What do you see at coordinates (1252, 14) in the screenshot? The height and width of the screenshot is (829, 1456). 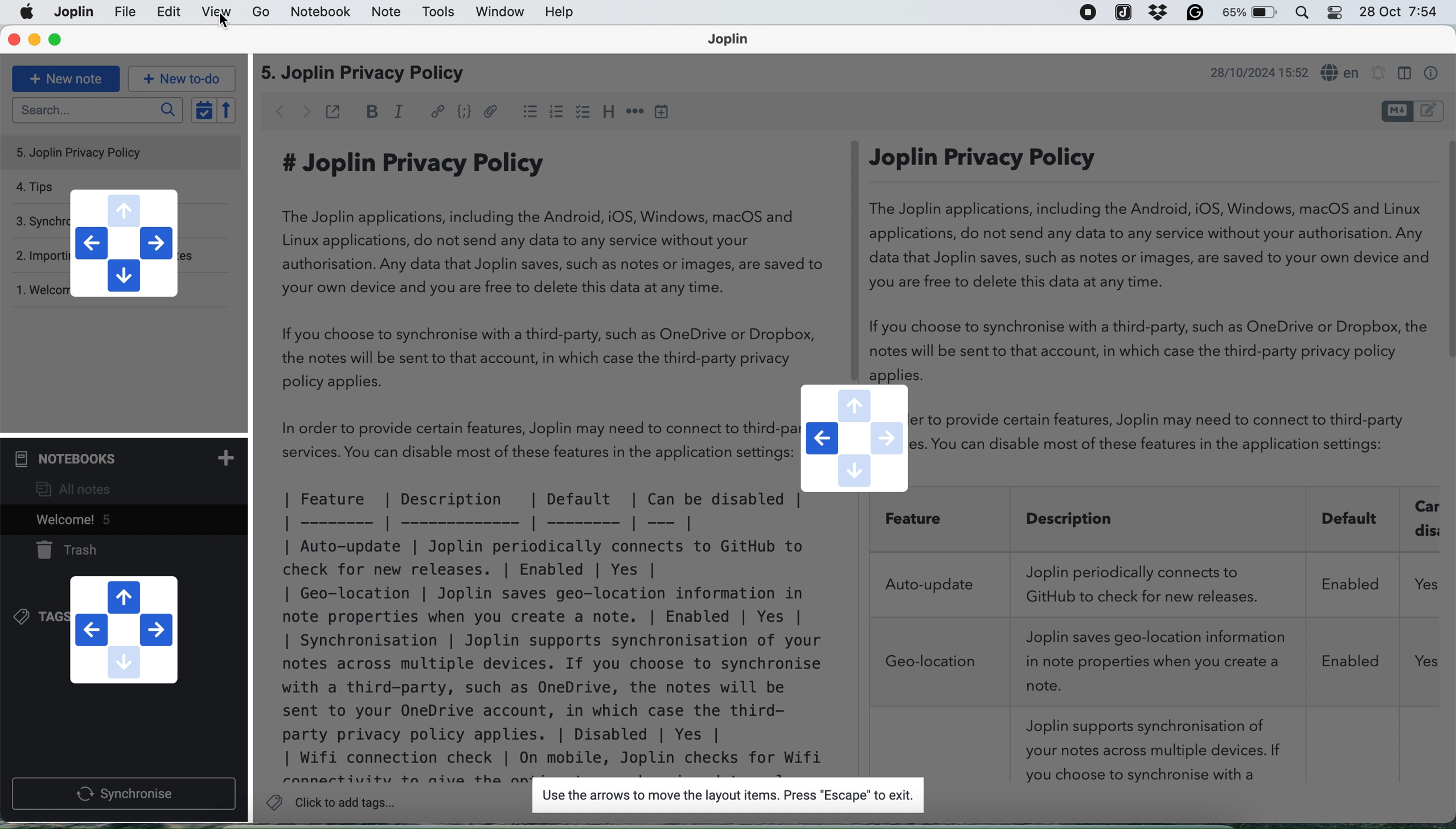 I see `battery` at bounding box center [1252, 14].